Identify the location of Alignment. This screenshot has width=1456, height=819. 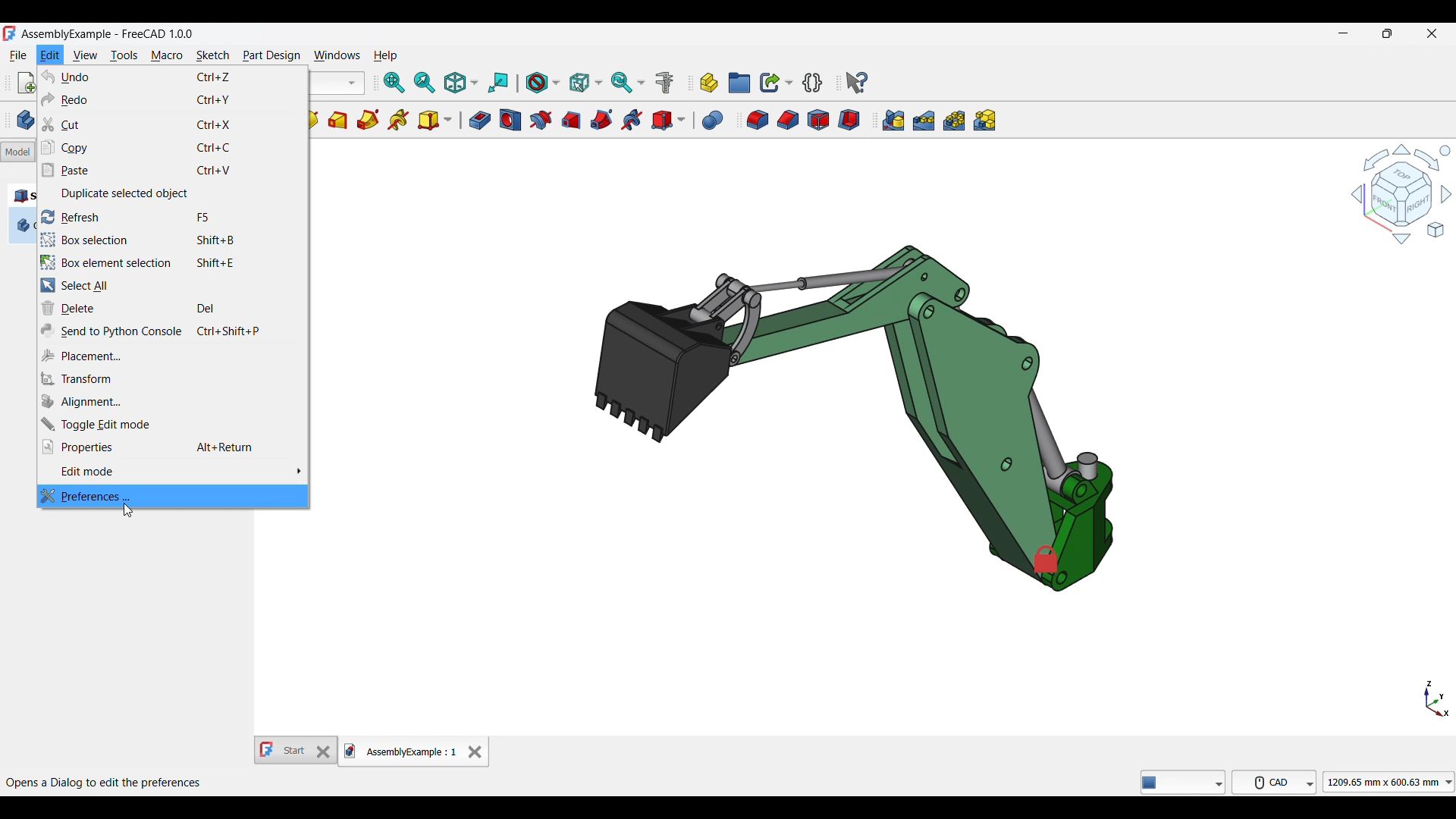
(173, 401).